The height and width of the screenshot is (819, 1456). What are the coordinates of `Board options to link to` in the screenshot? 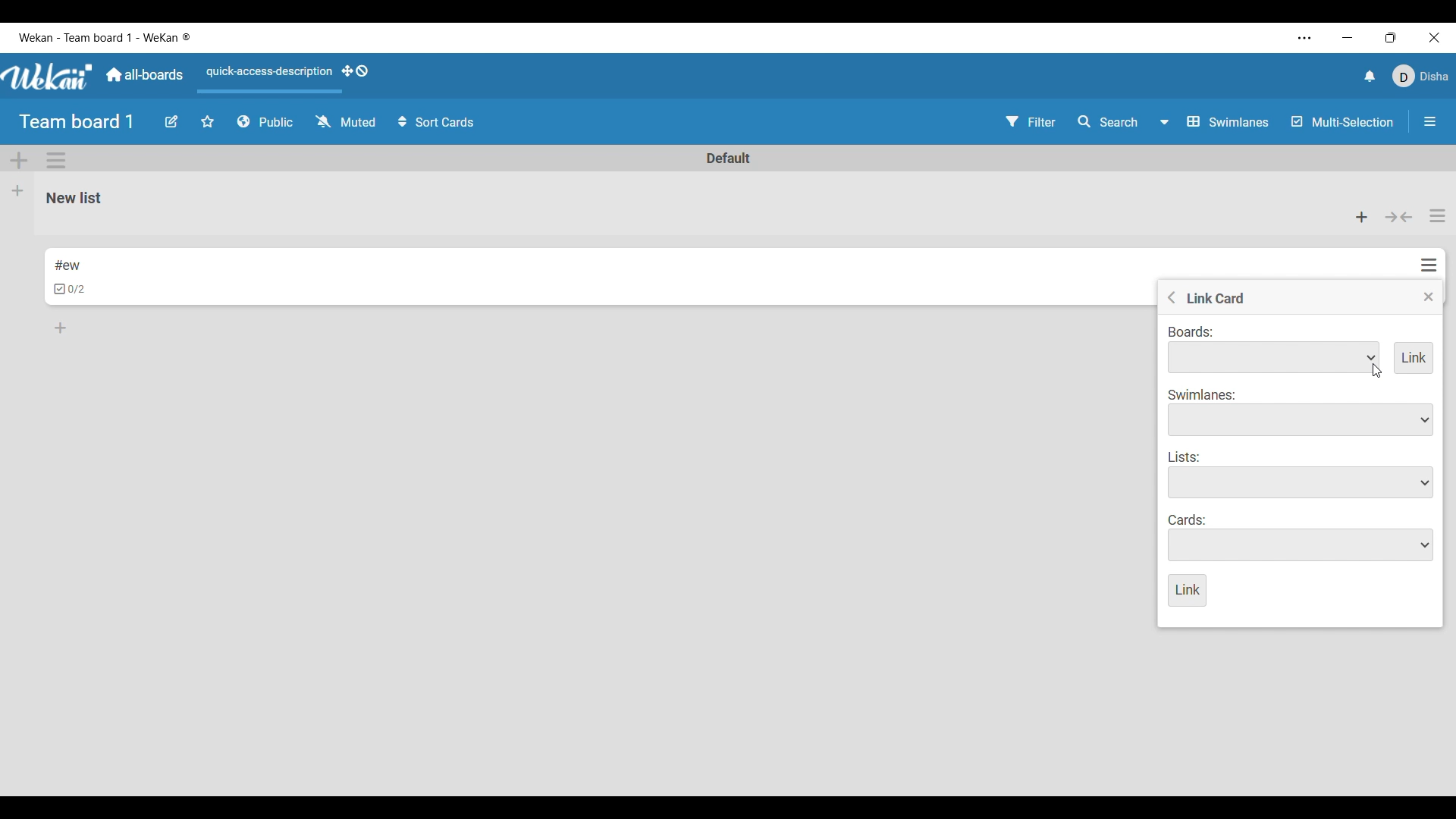 It's located at (1273, 357).